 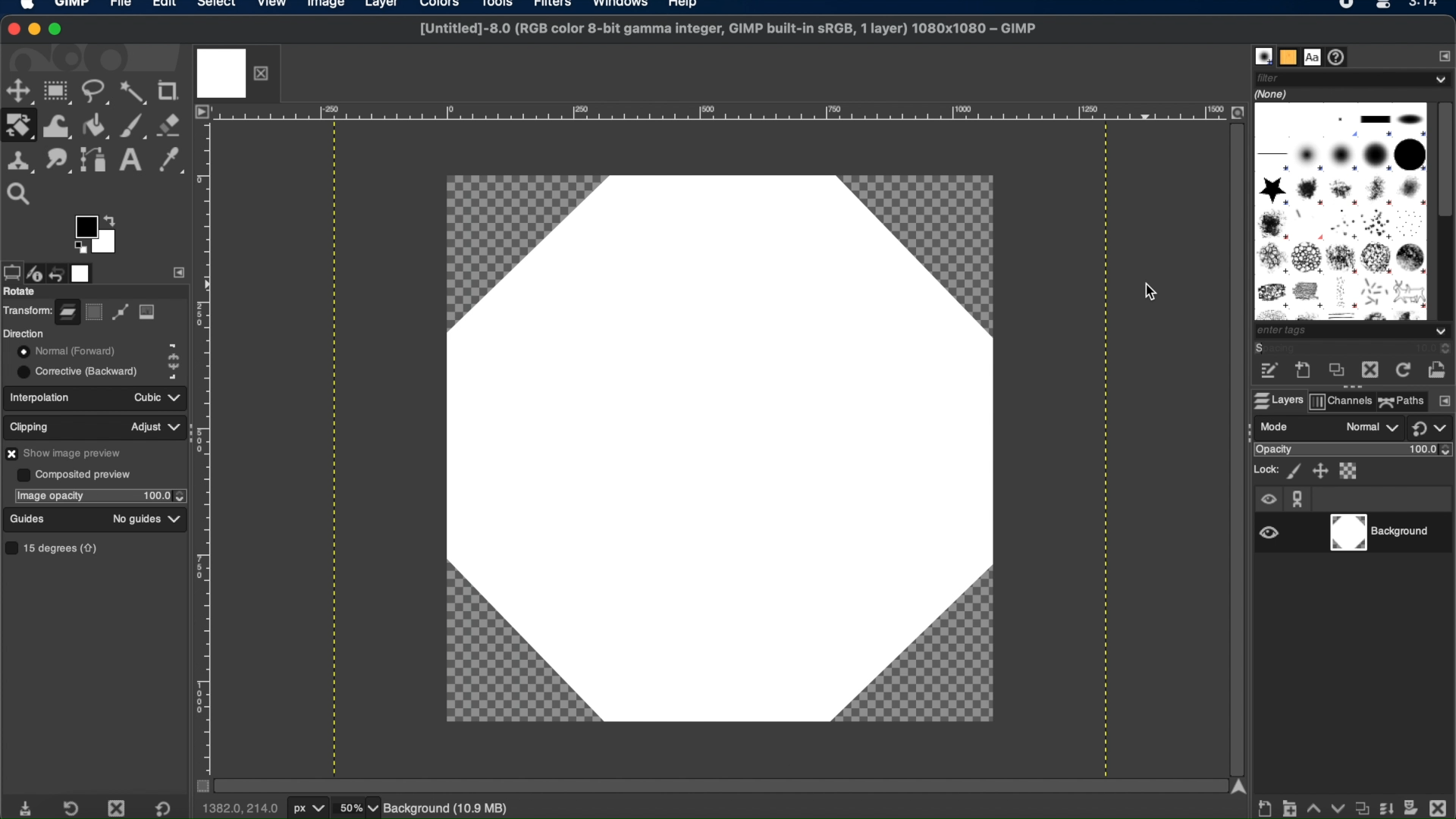 What do you see at coordinates (359, 808) in the screenshot?
I see `zoom levels` at bounding box center [359, 808].